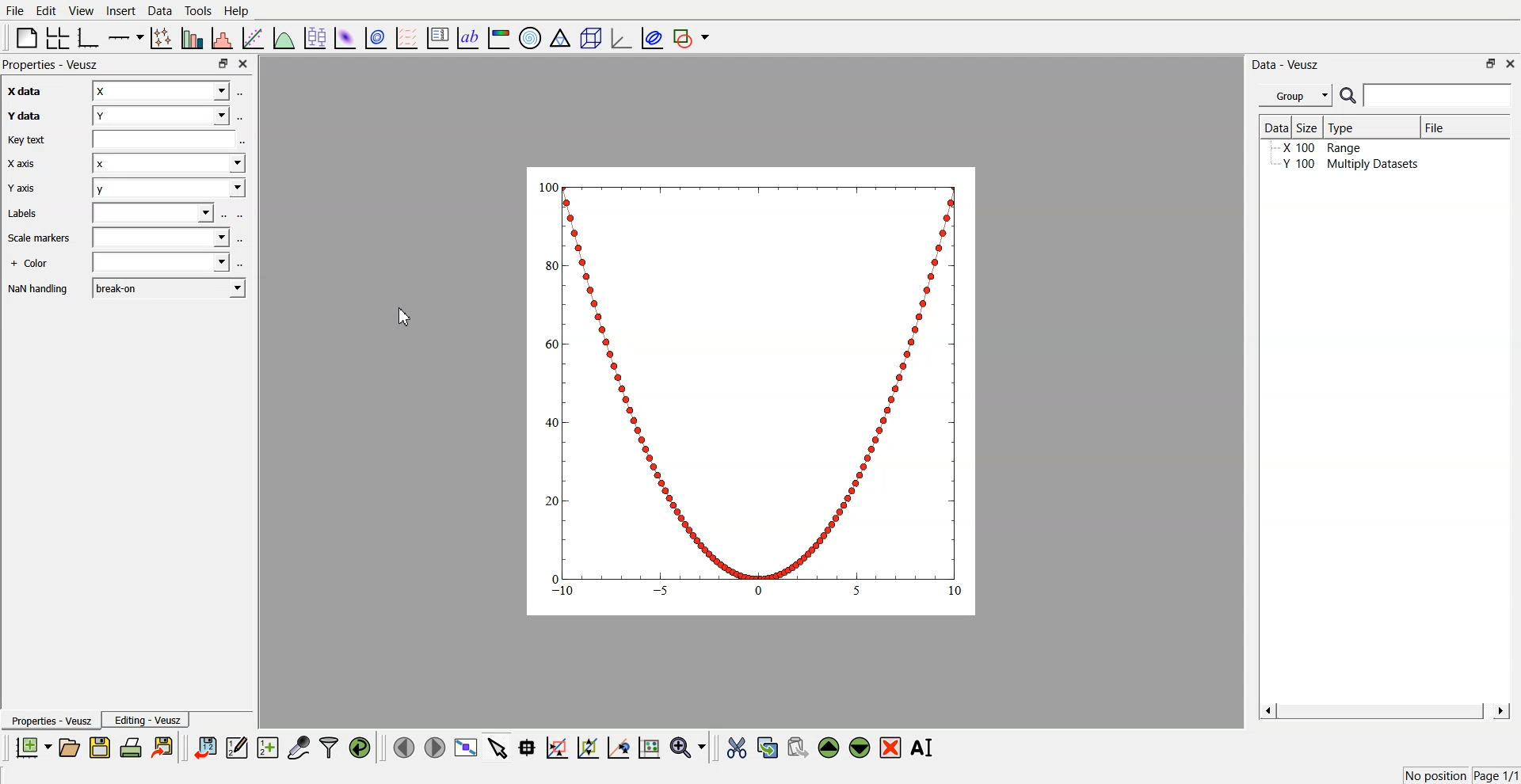  Describe the element at coordinates (620, 39) in the screenshot. I see `3d graph` at that location.